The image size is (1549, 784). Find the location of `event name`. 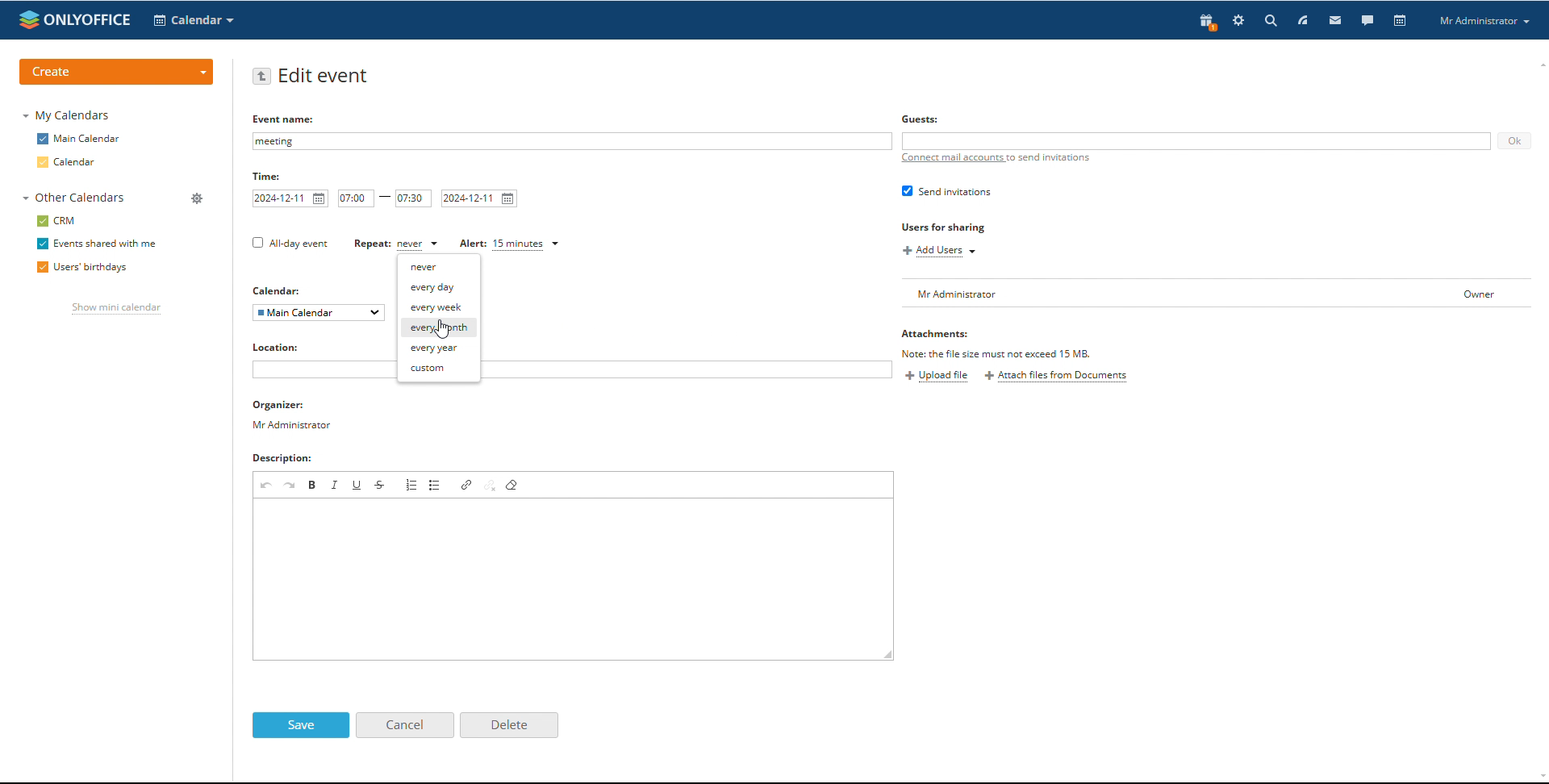

event name is located at coordinates (286, 119).